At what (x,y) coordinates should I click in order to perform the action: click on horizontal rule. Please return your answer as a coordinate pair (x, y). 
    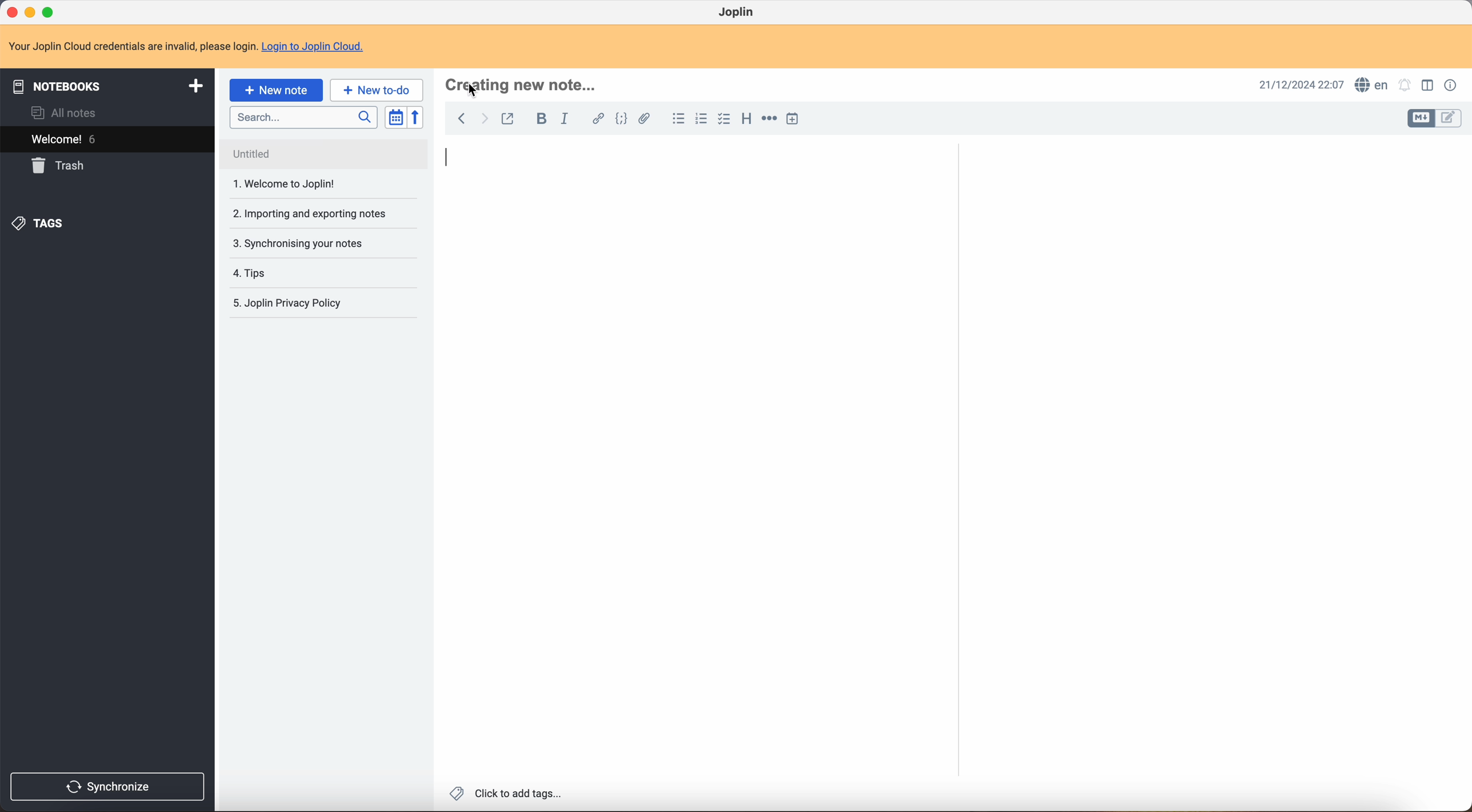
    Looking at the image, I should click on (770, 121).